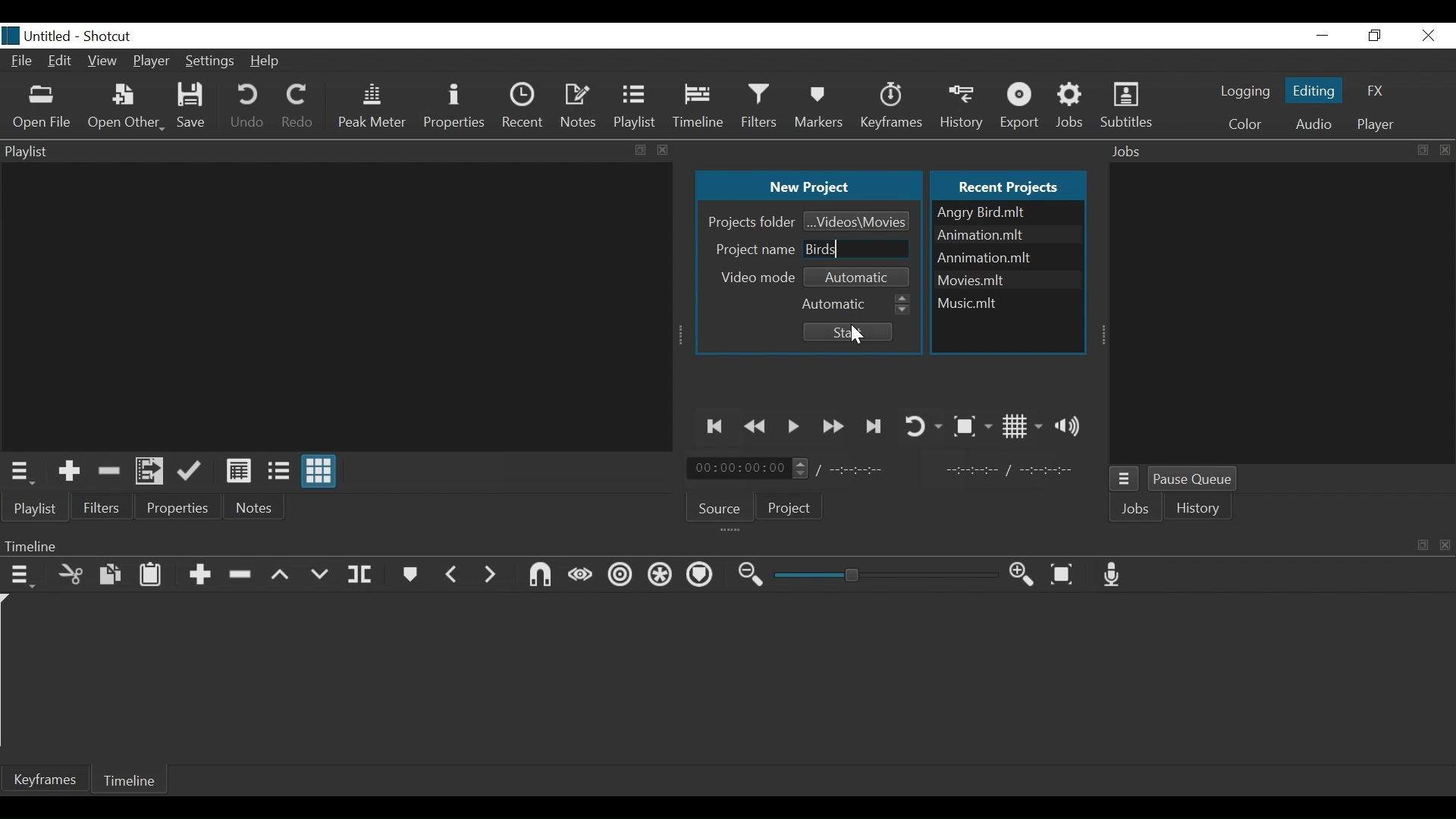  I want to click on Open File, so click(42, 107).